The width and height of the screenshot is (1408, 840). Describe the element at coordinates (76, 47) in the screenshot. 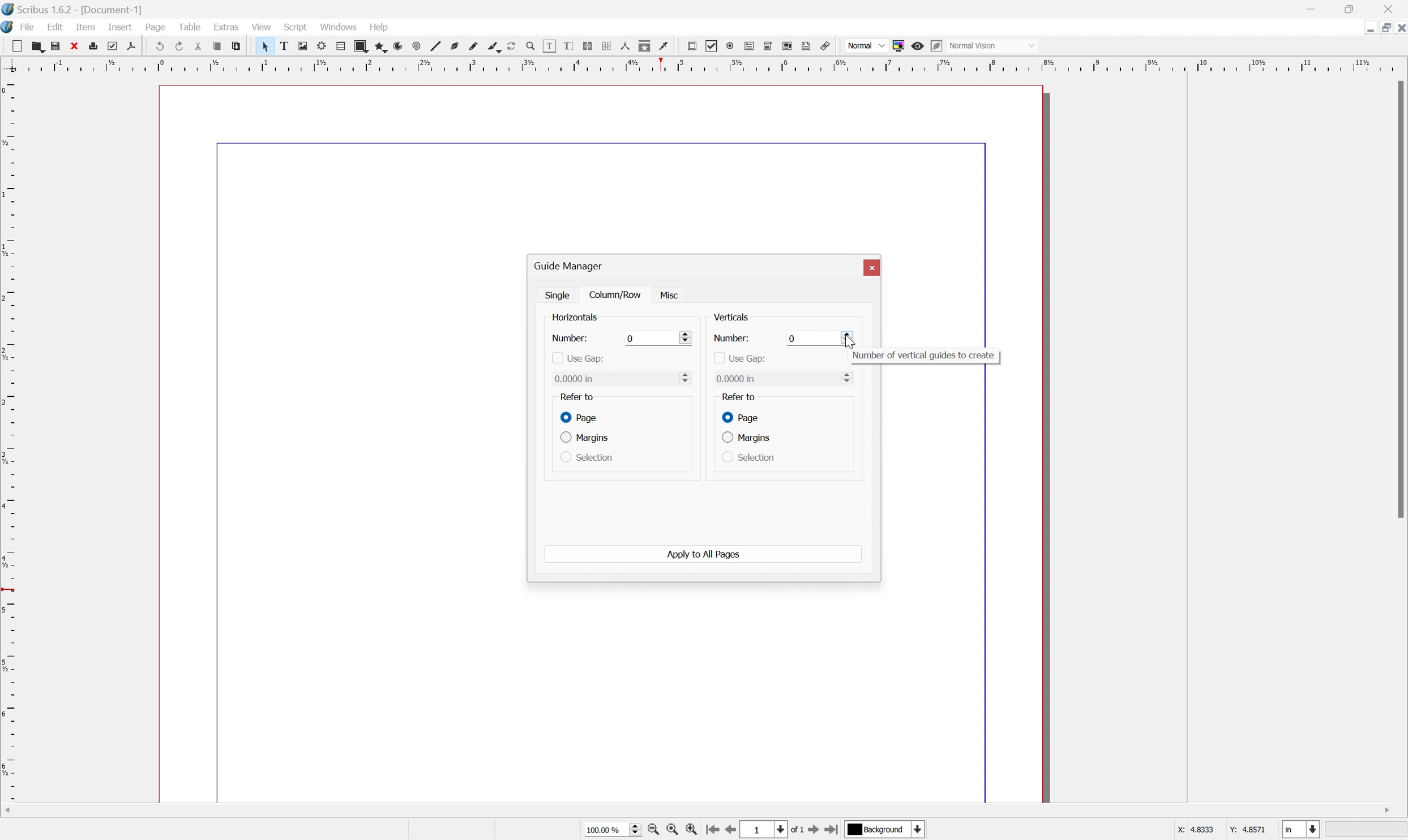

I see `close` at that location.